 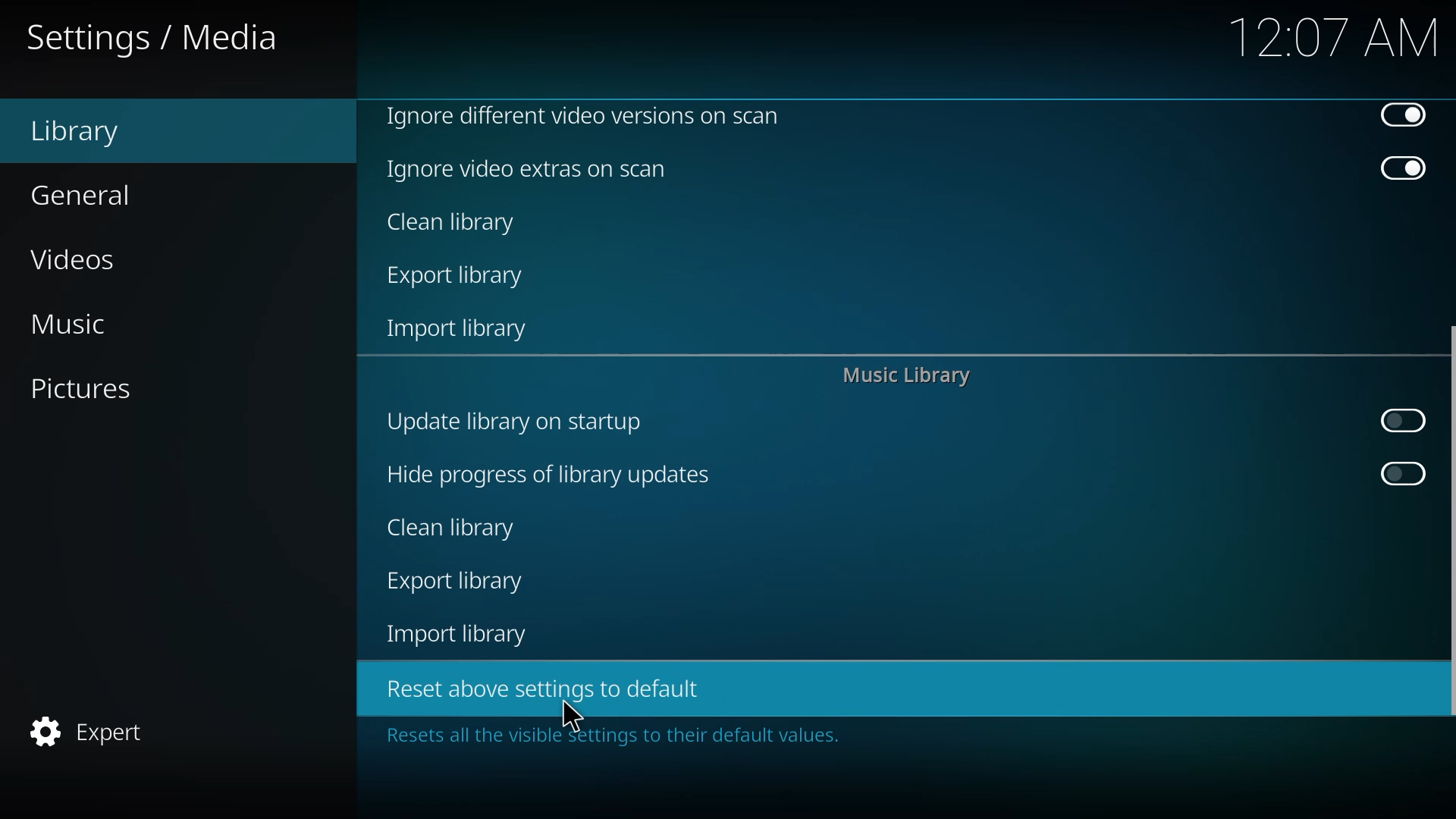 I want to click on export, so click(x=460, y=278).